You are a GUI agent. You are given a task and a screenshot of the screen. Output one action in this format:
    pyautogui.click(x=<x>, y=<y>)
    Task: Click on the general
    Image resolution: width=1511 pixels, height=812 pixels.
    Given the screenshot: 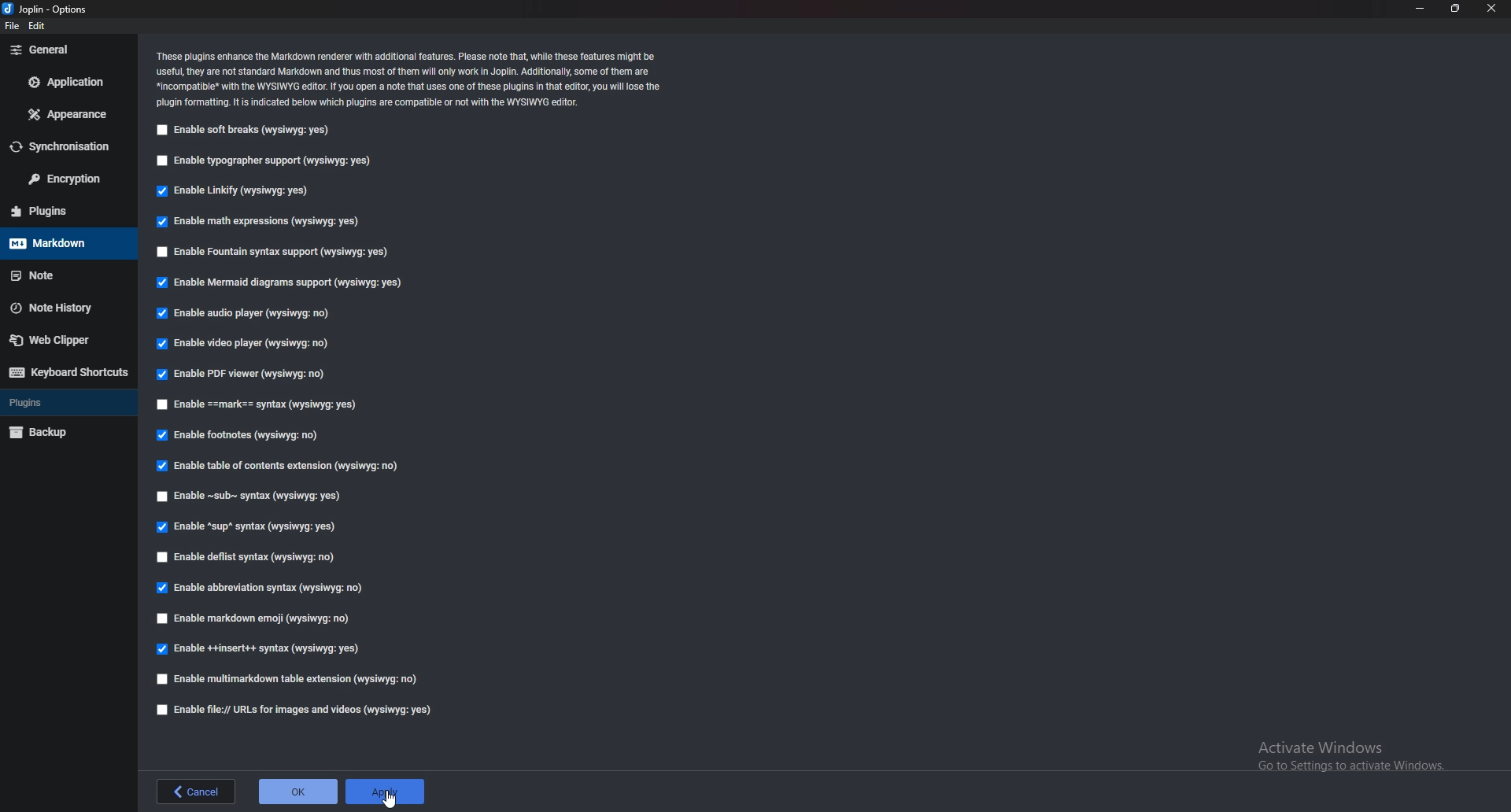 What is the action you would take?
    pyautogui.click(x=65, y=50)
    